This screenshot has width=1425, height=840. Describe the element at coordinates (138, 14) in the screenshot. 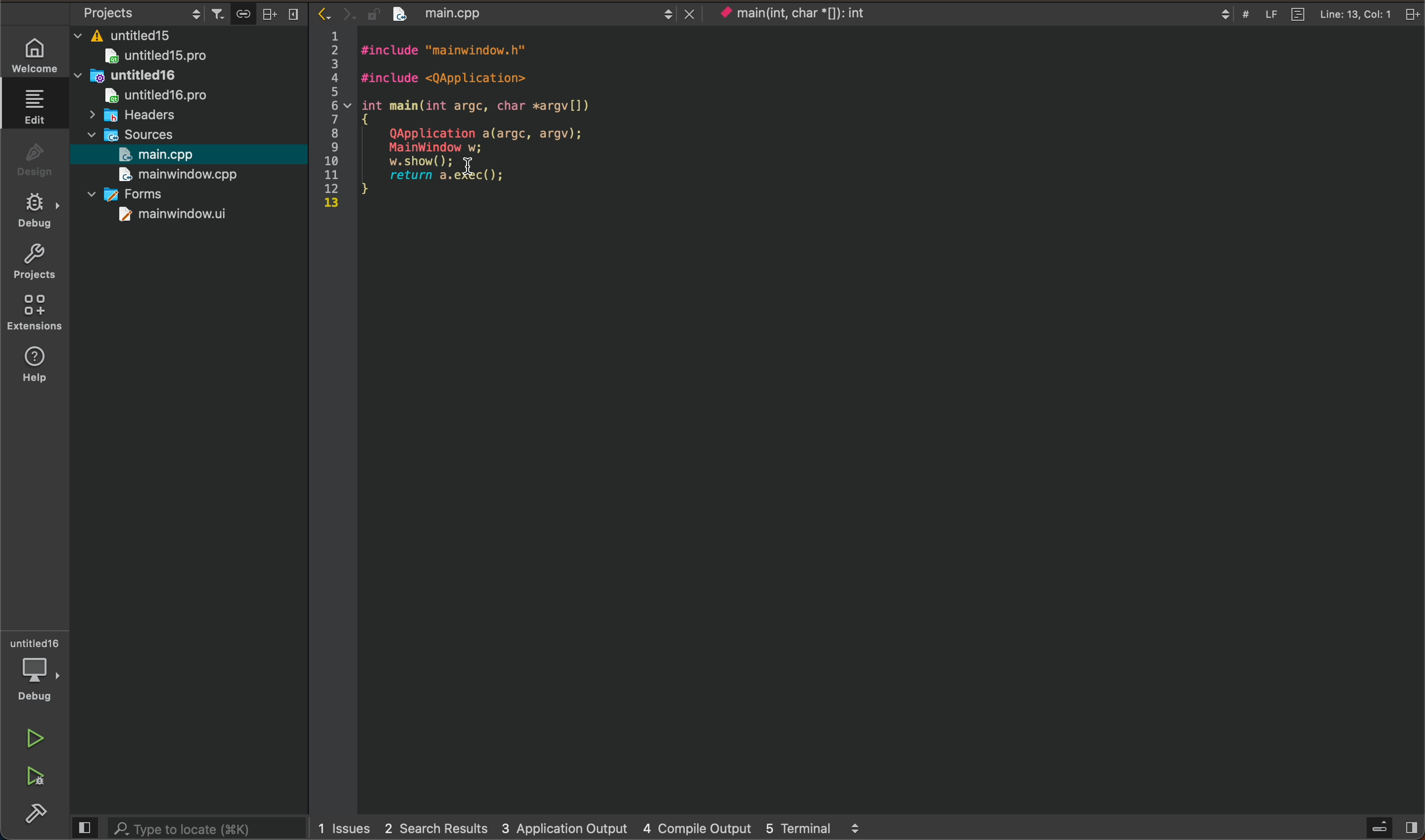

I see `select project` at that location.